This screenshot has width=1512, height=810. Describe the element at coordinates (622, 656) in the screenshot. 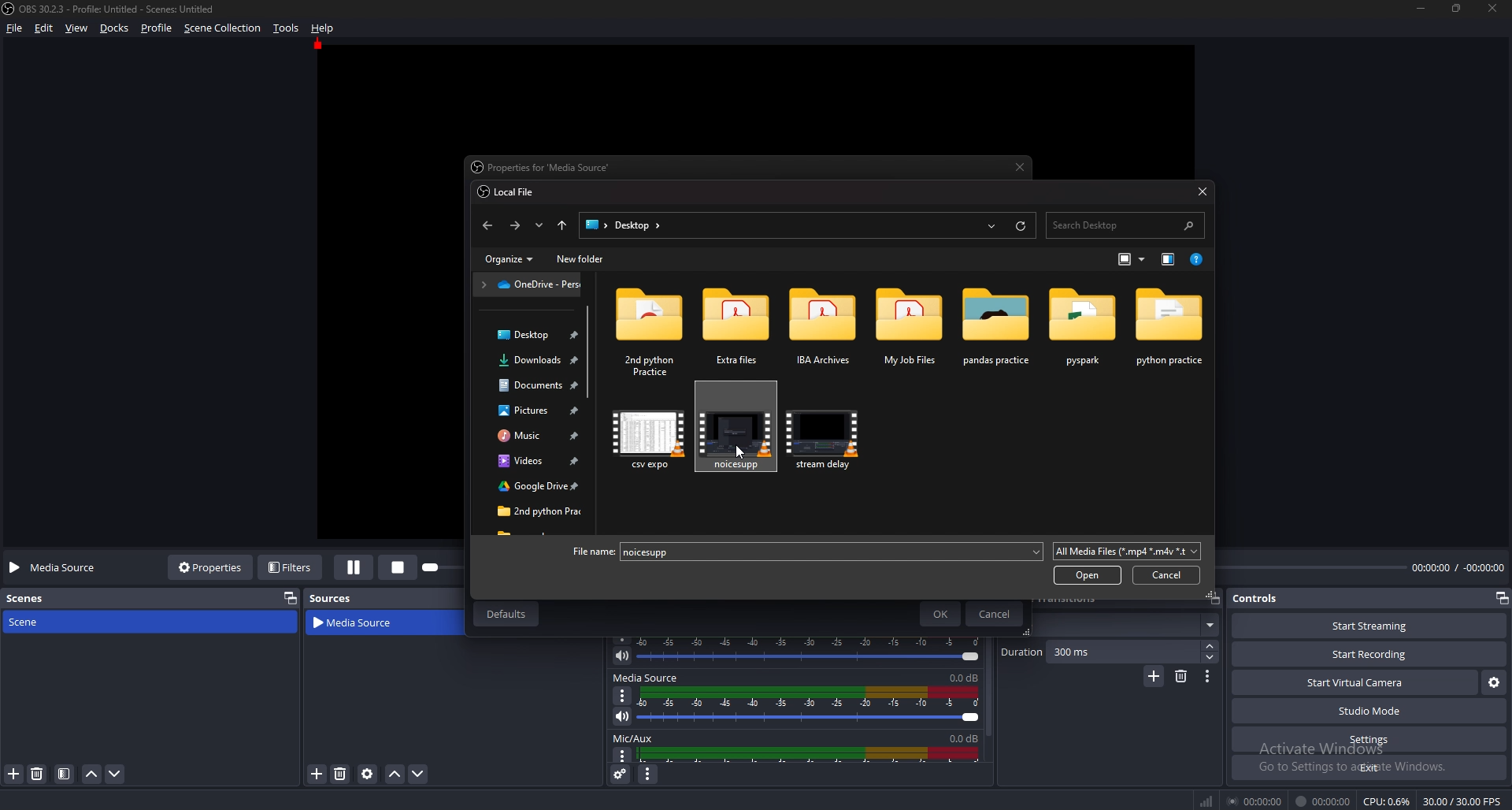

I see `mute` at that location.